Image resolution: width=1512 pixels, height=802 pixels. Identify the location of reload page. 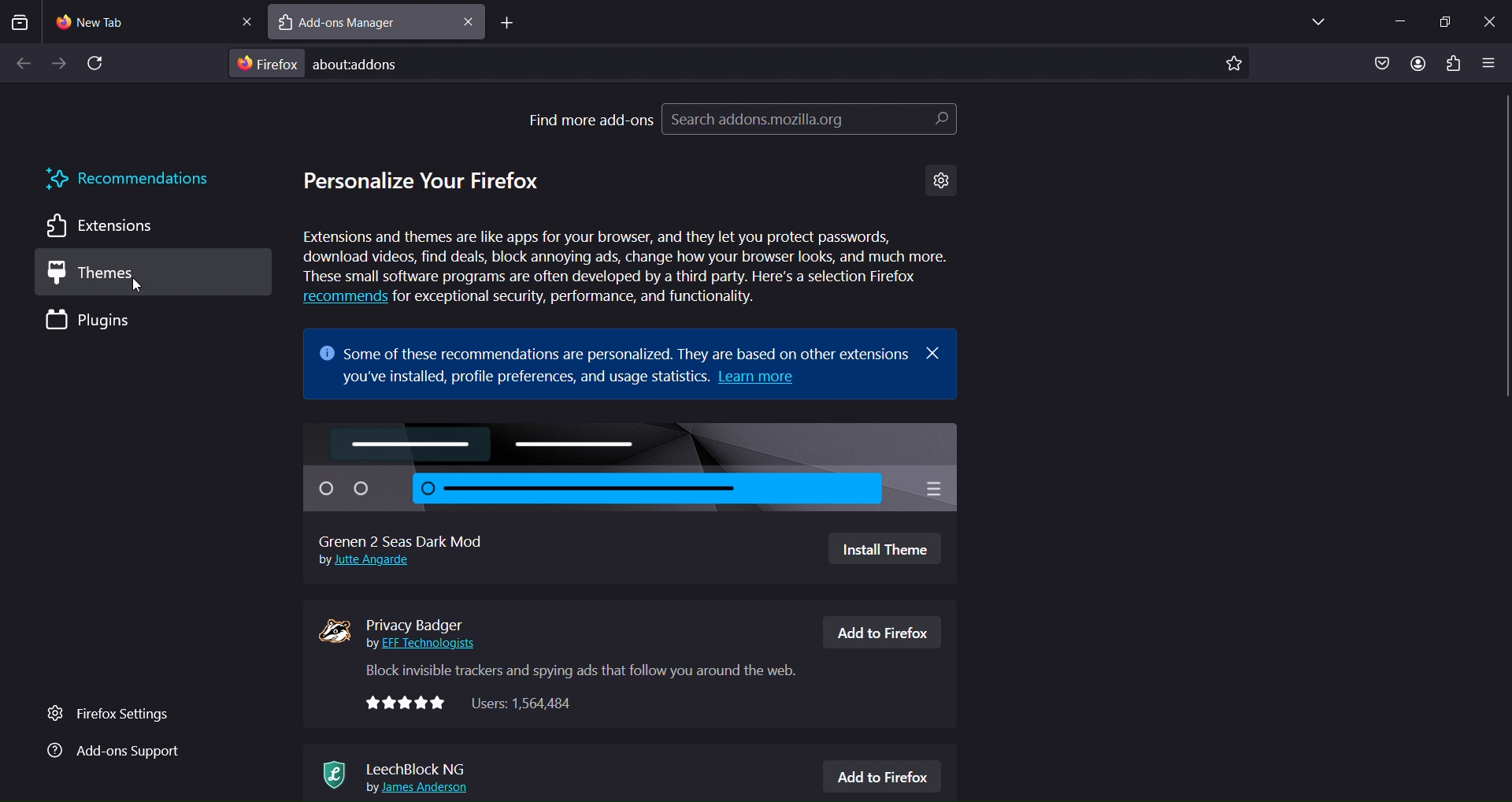
(100, 64).